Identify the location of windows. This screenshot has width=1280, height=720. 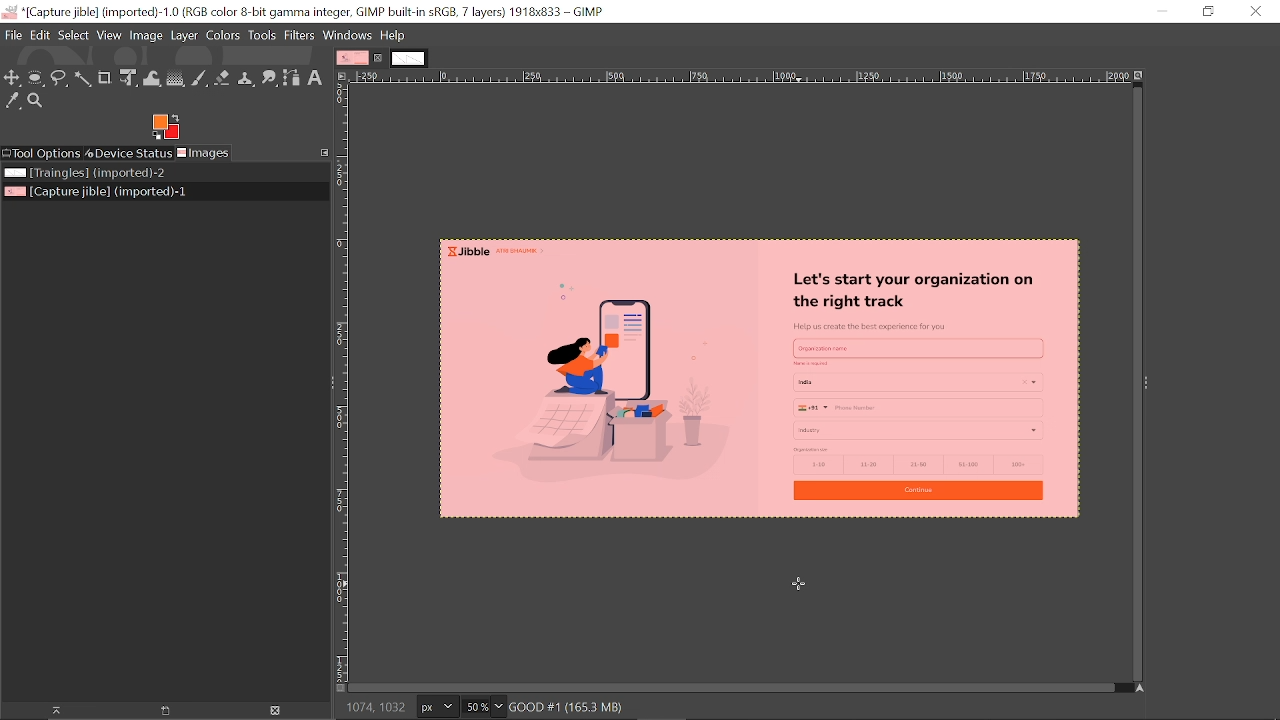
(347, 35).